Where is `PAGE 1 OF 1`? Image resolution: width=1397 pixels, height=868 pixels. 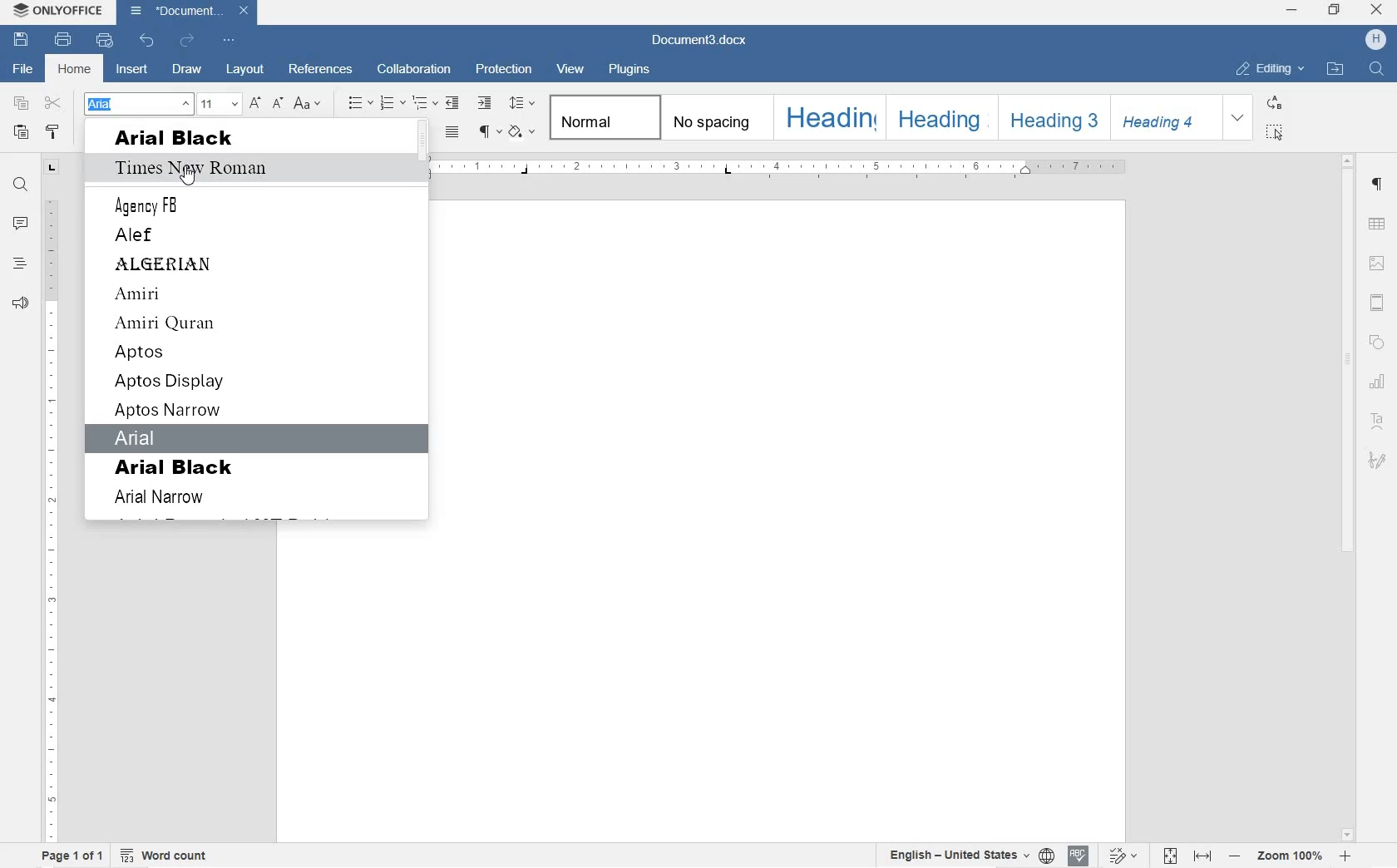
PAGE 1 OF 1 is located at coordinates (74, 858).